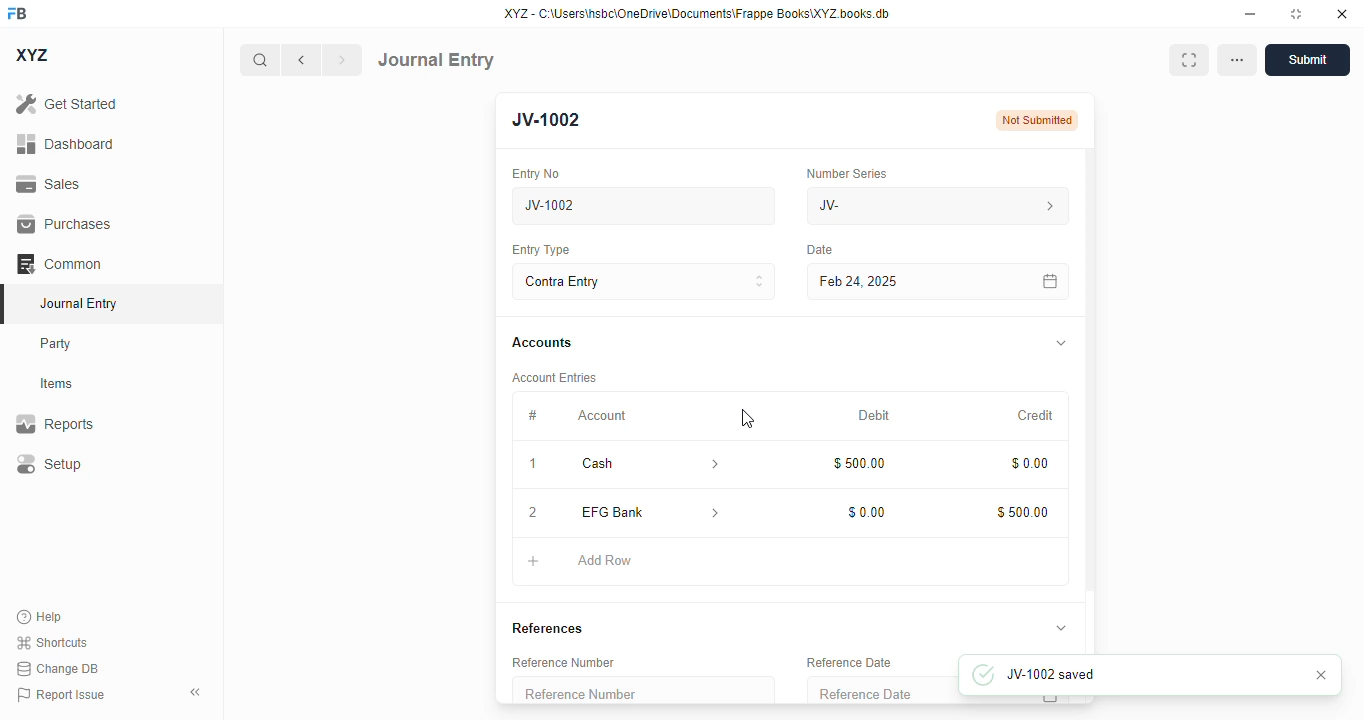  I want to click on not submitted, so click(1034, 119).